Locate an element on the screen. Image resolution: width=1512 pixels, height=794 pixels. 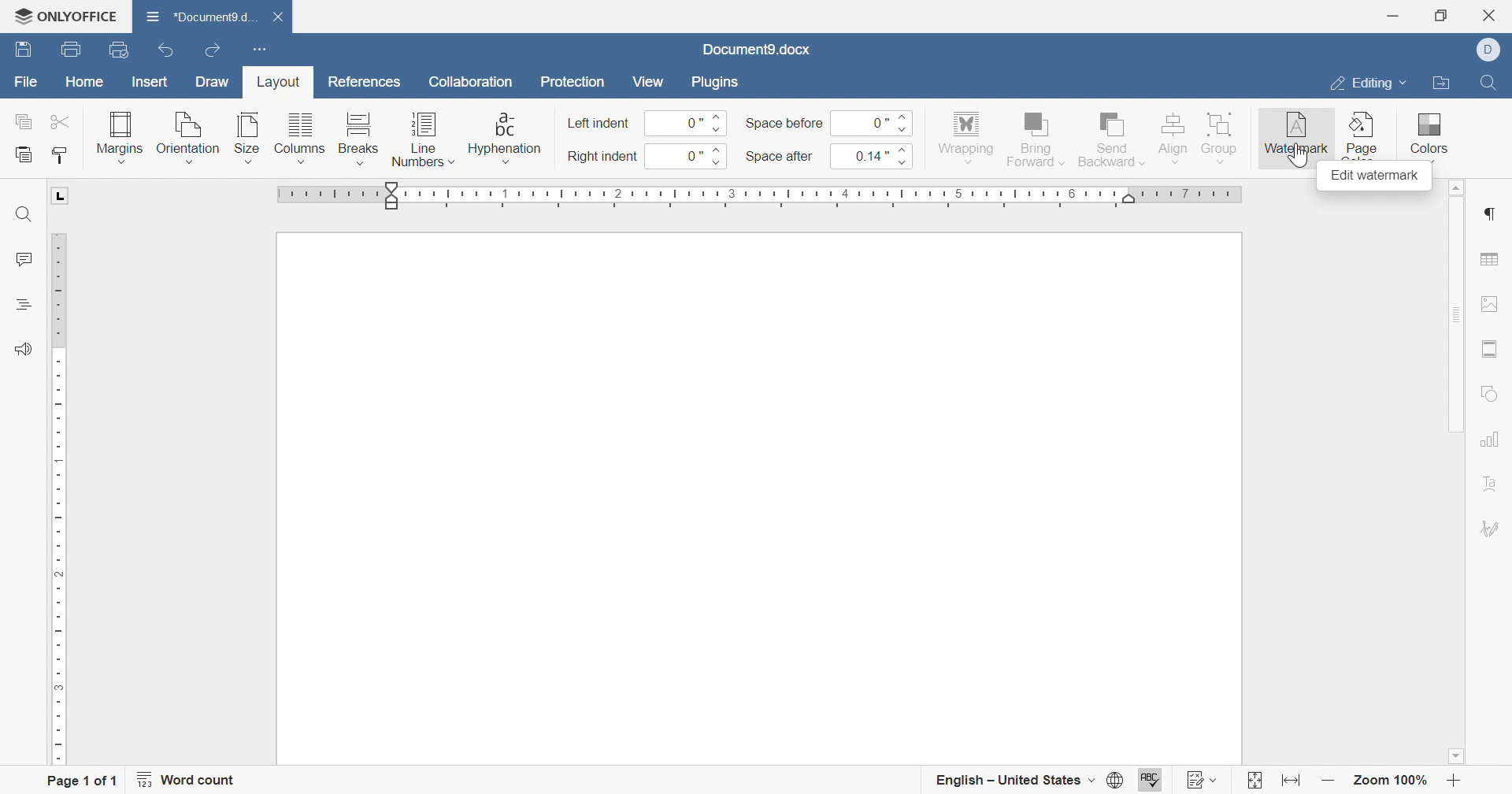
page color is located at coordinates (1363, 135).